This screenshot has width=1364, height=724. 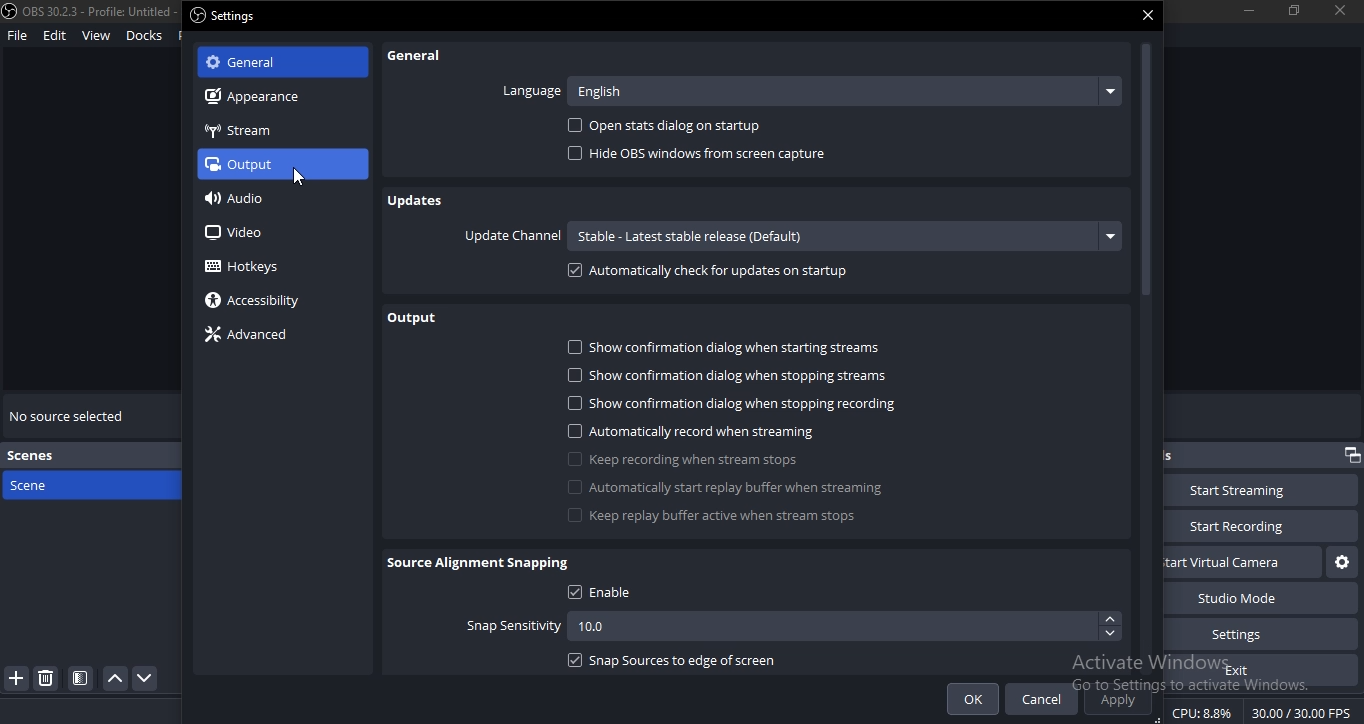 What do you see at coordinates (422, 200) in the screenshot?
I see `updates` at bounding box center [422, 200].